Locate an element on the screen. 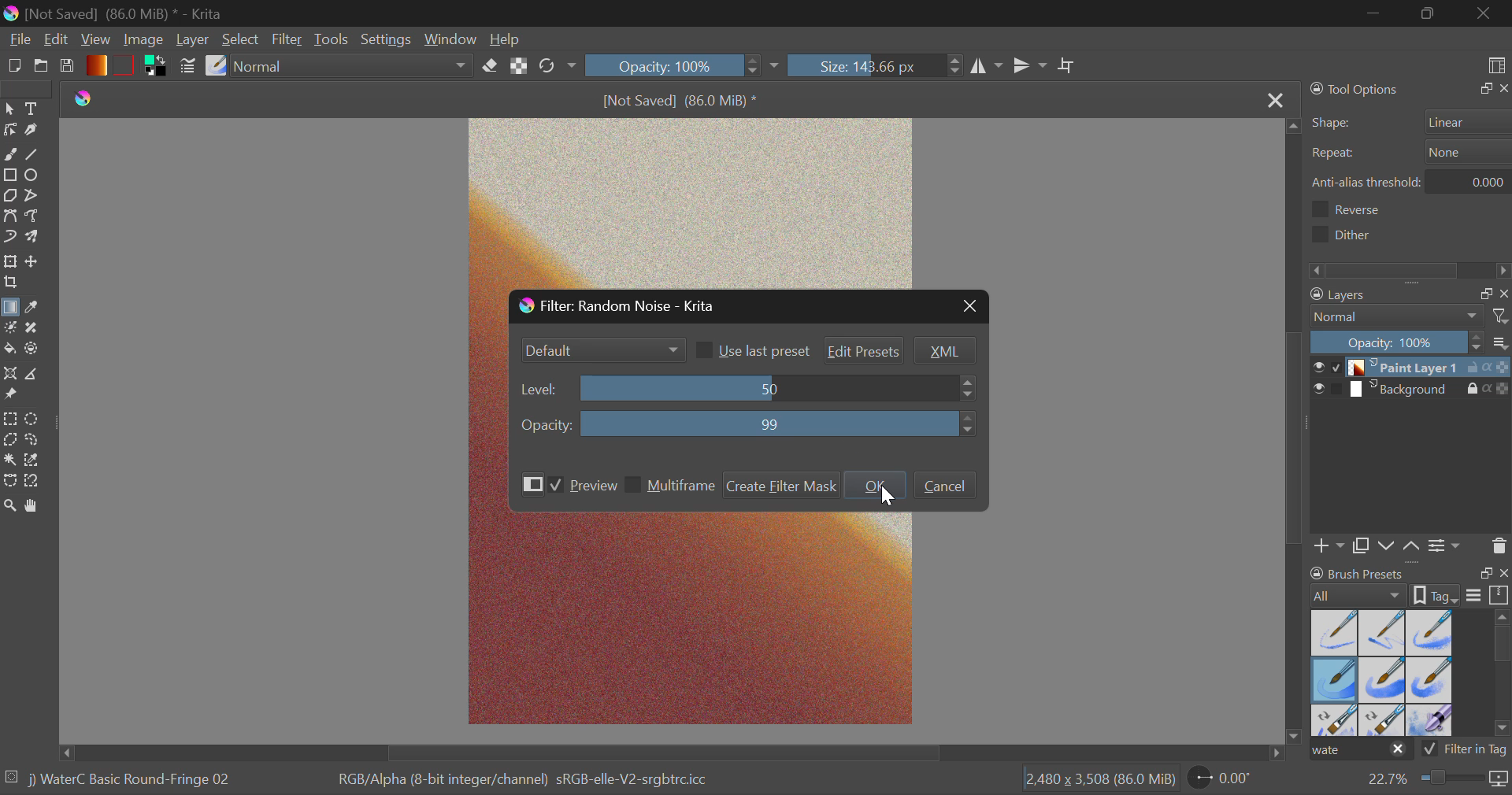 The image size is (1512, 795). Close is located at coordinates (1484, 13).